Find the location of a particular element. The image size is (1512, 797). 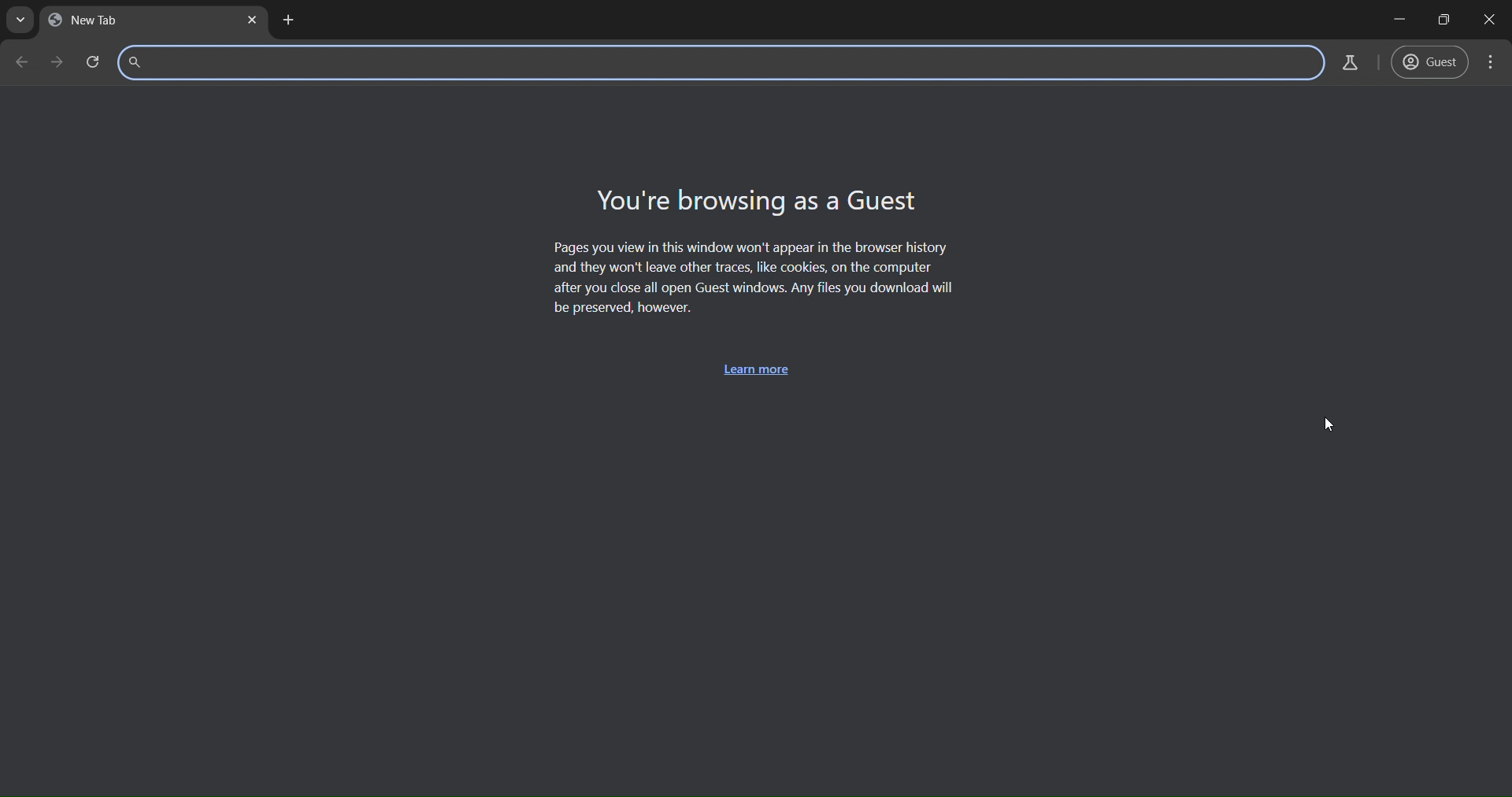

new tab is located at coordinates (287, 18).